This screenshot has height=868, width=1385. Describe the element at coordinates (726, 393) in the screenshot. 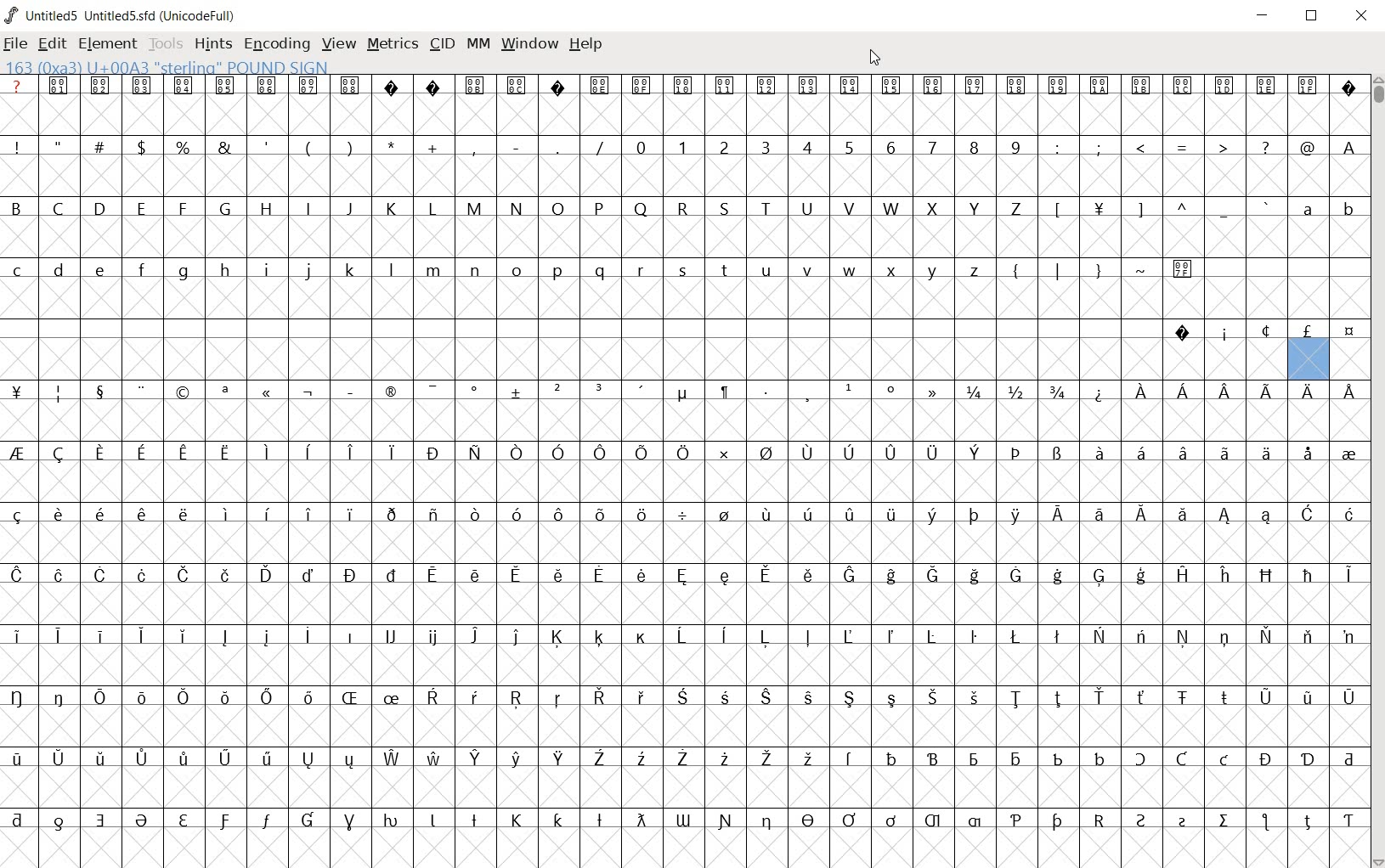

I see `Symbol` at that location.